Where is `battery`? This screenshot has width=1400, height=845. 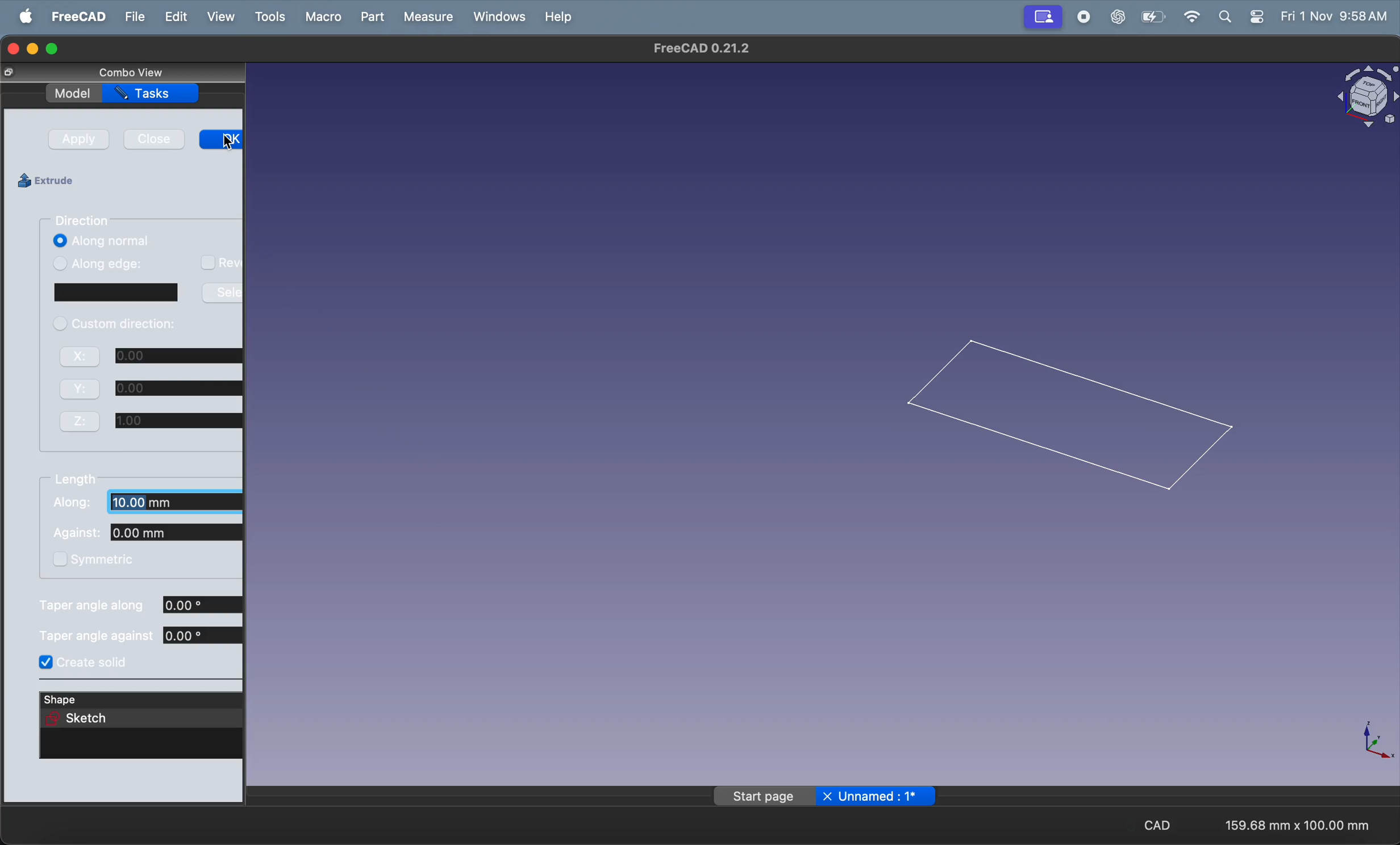
battery is located at coordinates (1155, 16).